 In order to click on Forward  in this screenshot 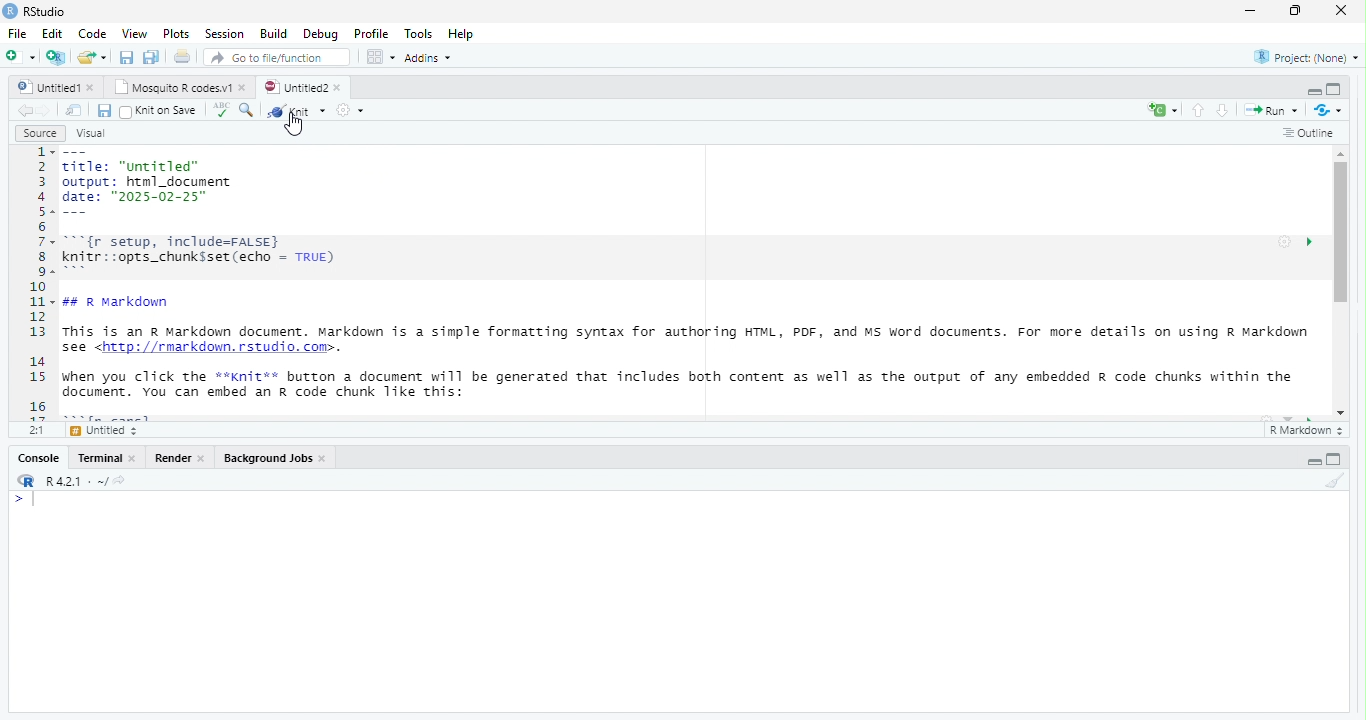, I will do `click(46, 111)`.